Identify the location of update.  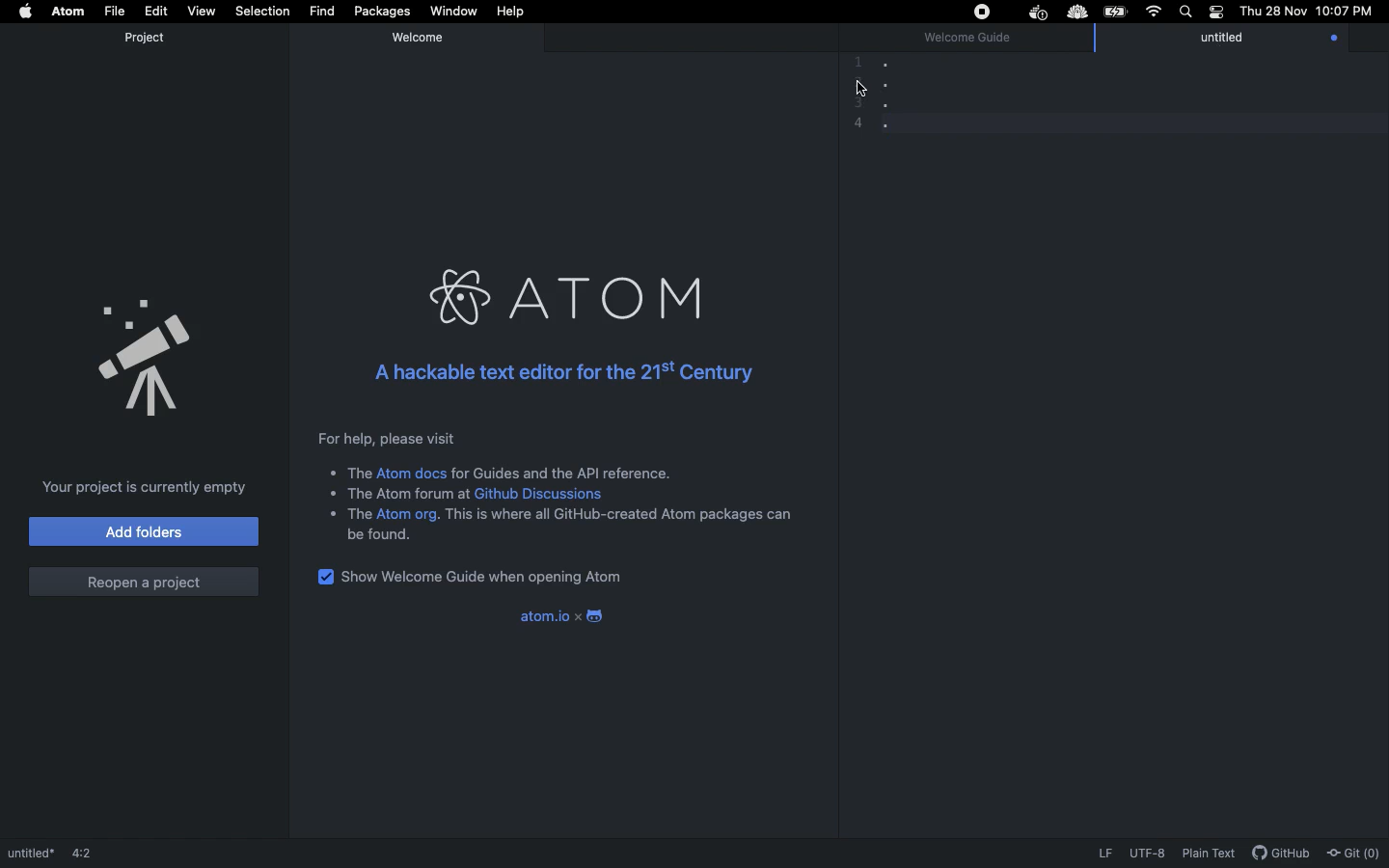
(1330, 40).